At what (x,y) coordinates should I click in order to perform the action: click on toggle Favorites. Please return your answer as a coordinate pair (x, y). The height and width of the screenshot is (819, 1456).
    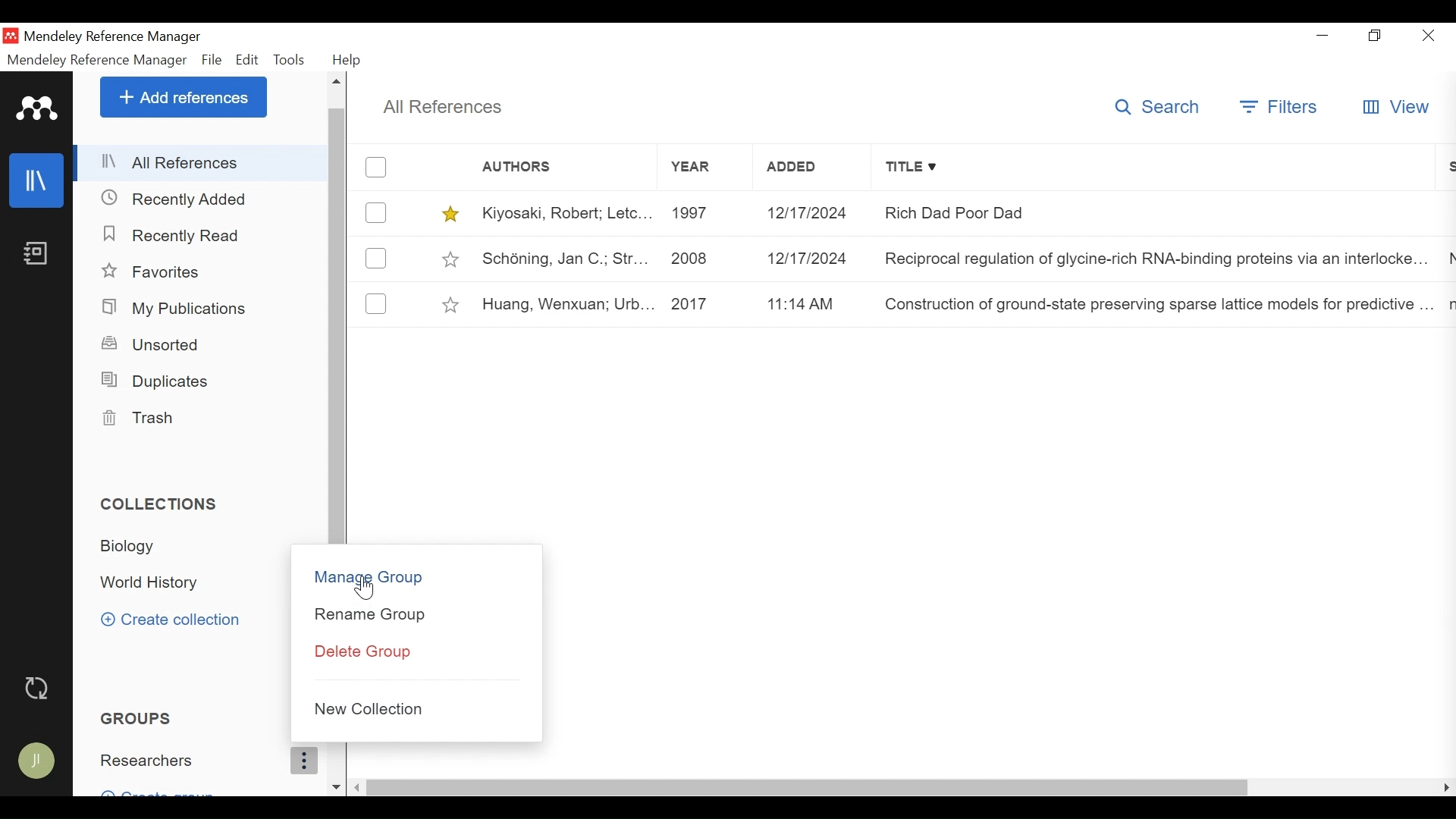
    Looking at the image, I should click on (453, 259).